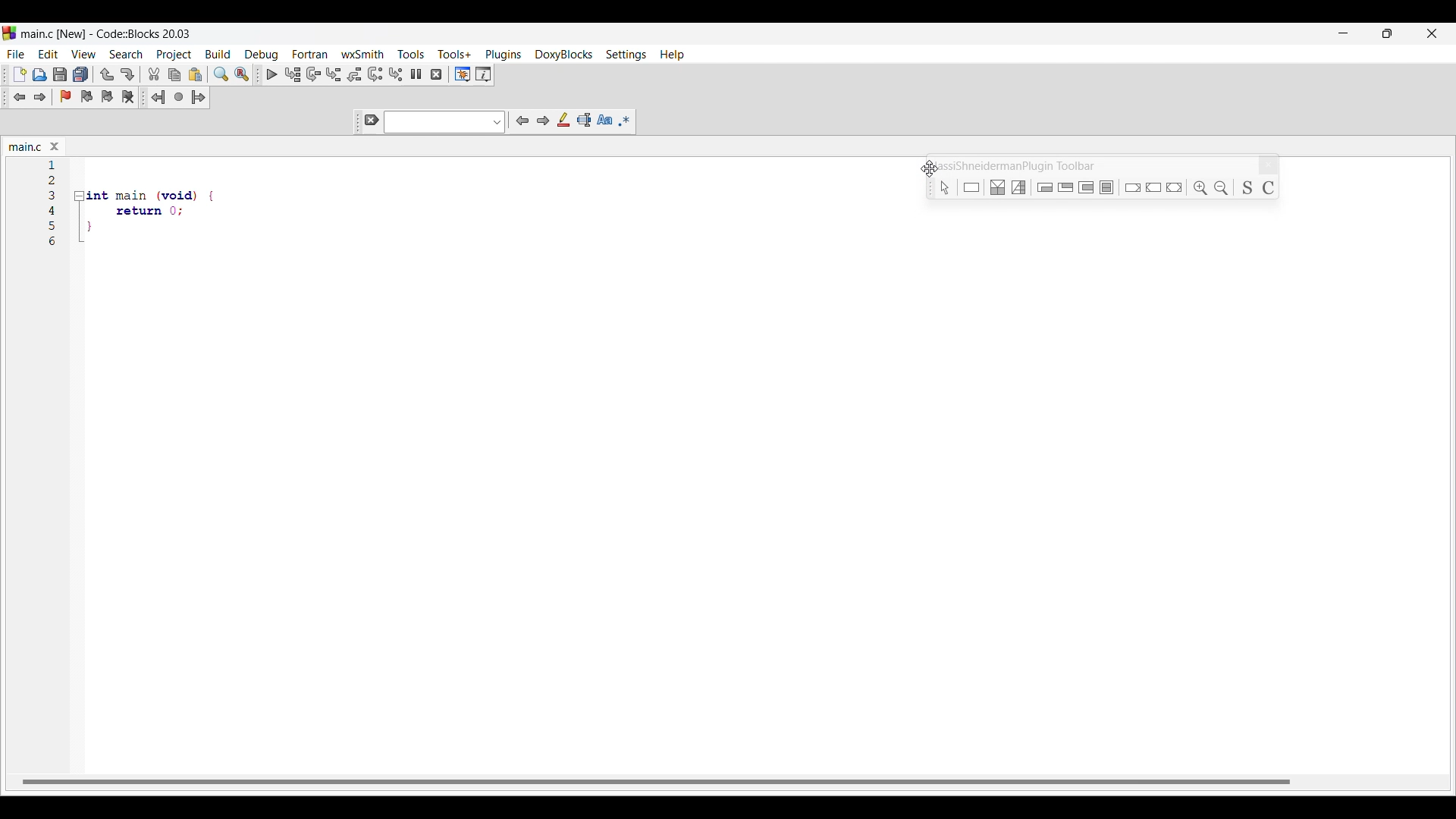  Describe the element at coordinates (362, 54) in the screenshot. I see `wxSmith menu` at that location.